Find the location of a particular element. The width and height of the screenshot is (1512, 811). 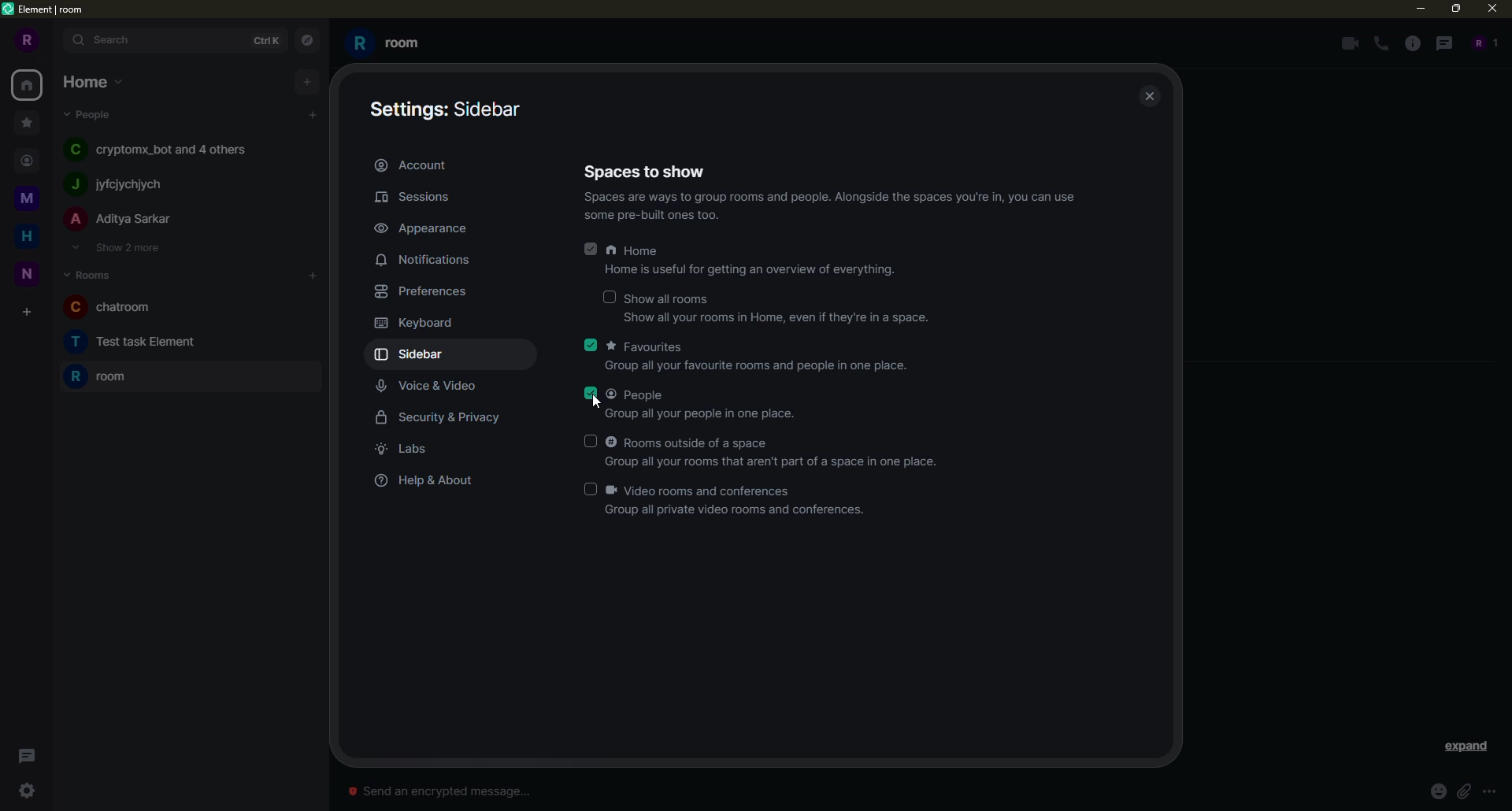

minimize is located at coordinates (1416, 9).